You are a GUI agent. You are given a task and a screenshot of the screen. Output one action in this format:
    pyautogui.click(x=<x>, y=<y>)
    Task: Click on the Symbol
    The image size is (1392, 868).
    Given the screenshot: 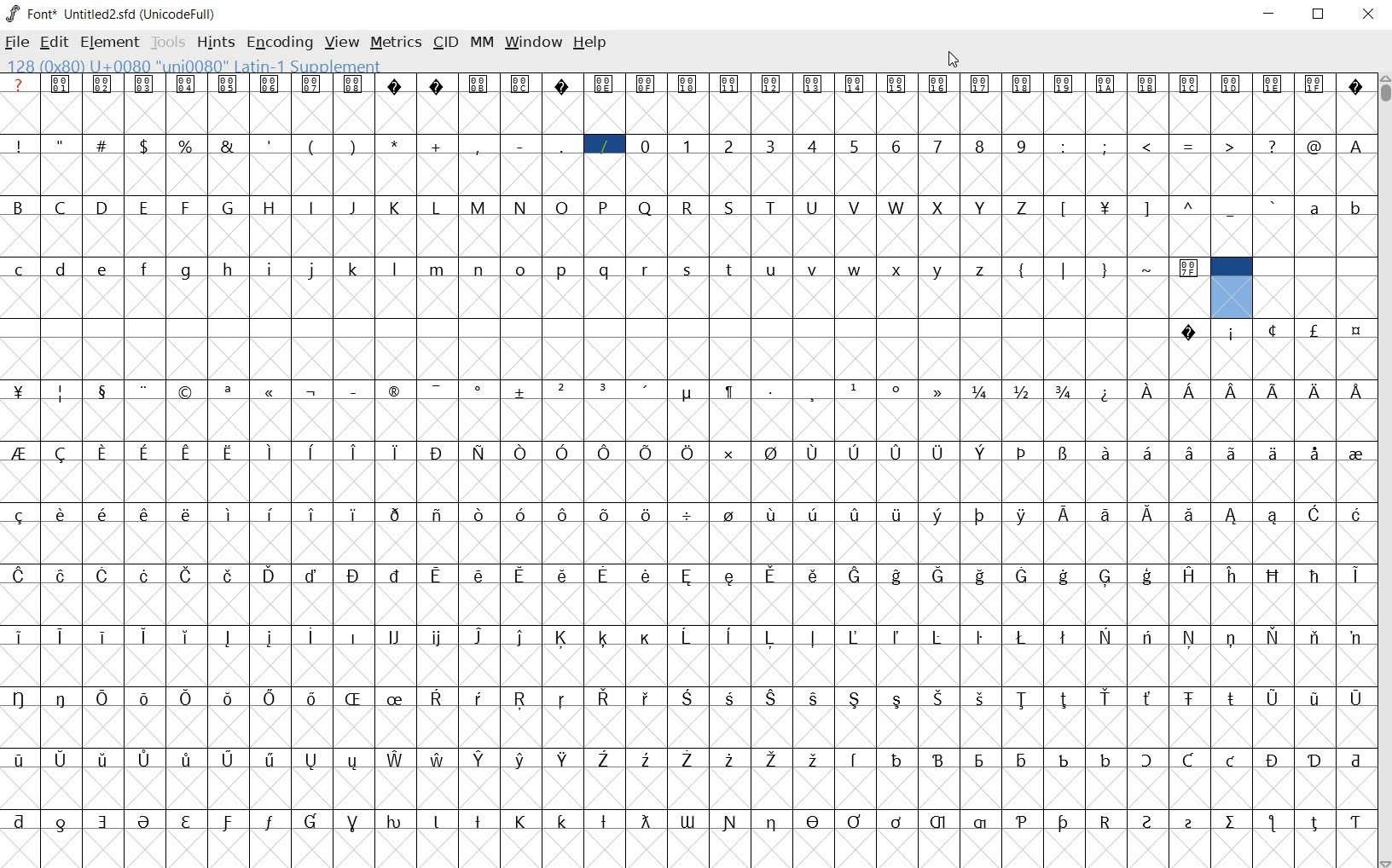 What is the action you would take?
    pyautogui.click(x=1230, y=759)
    